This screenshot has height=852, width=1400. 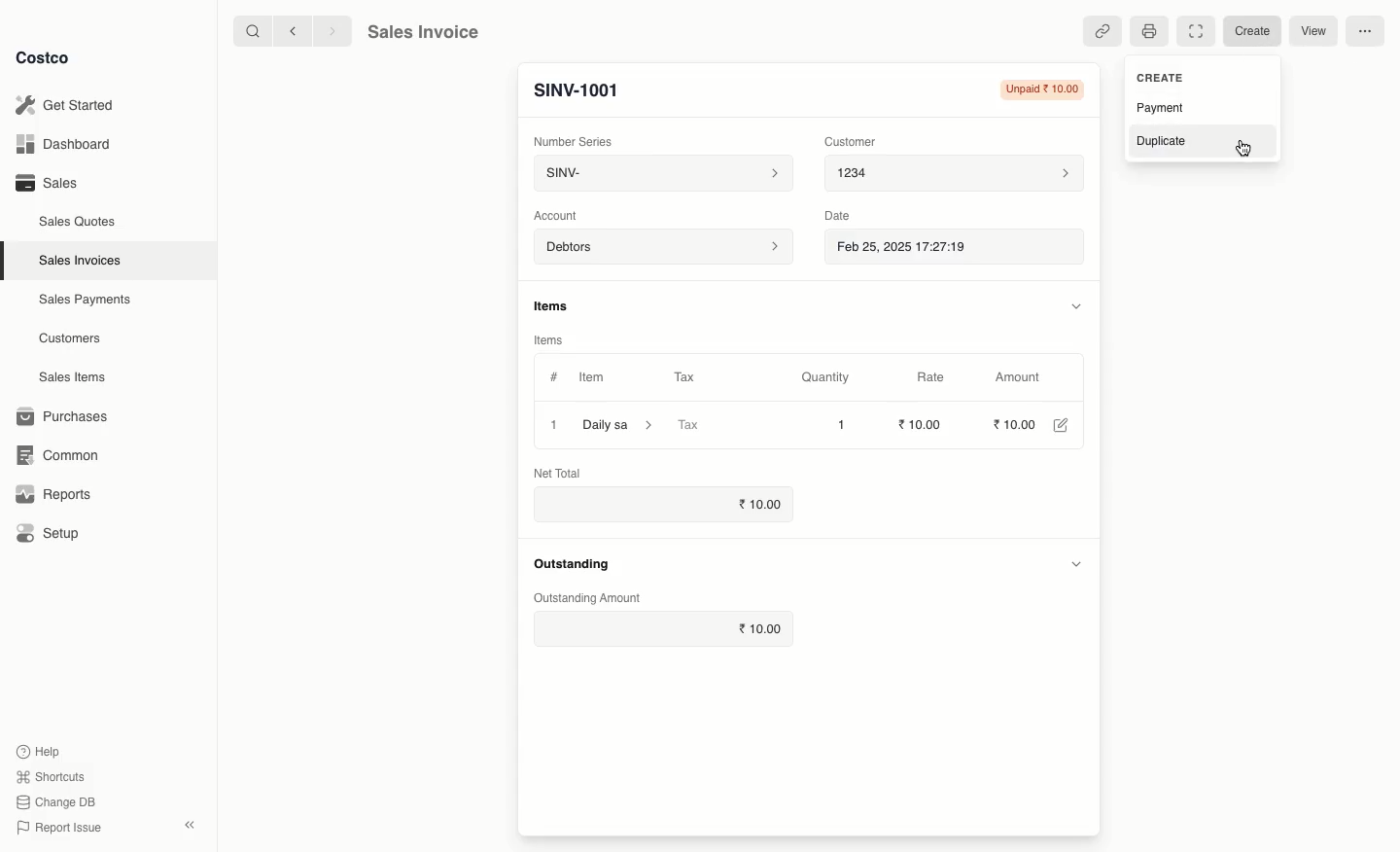 I want to click on Help, so click(x=42, y=751).